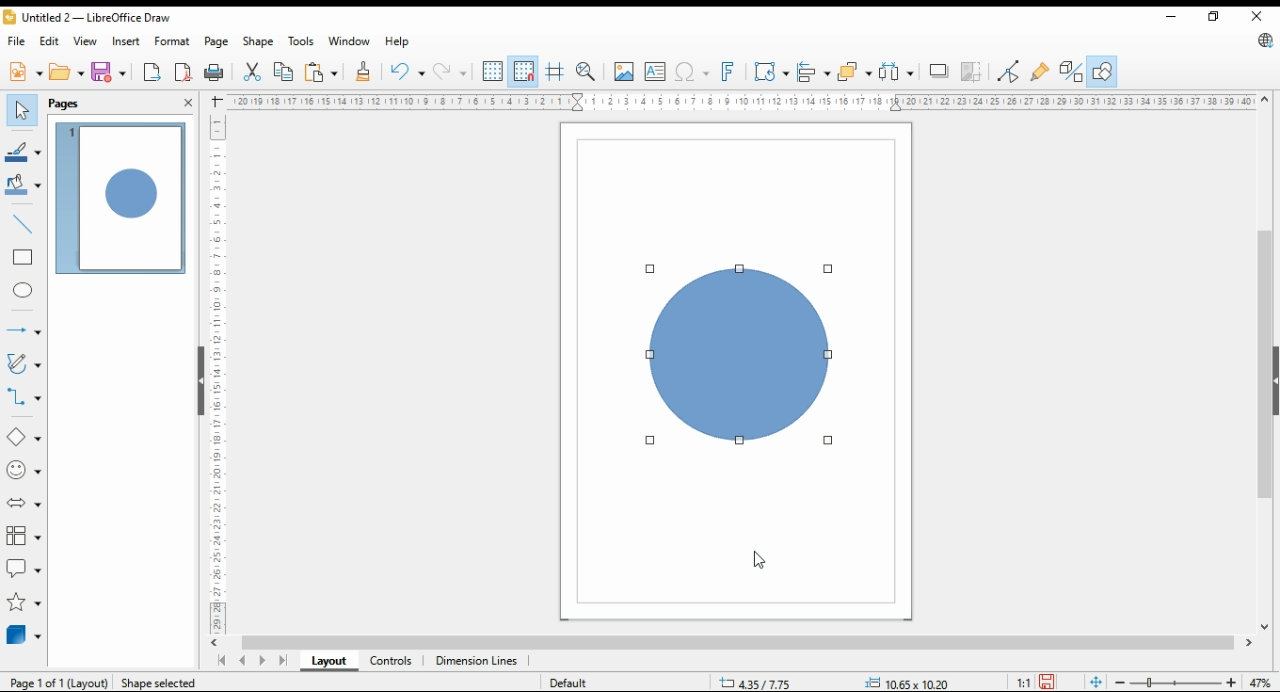  What do you see at coordinates (184, 71) in the screenshot?
I see `export directly as pdf` at bounding box center [184, 71].